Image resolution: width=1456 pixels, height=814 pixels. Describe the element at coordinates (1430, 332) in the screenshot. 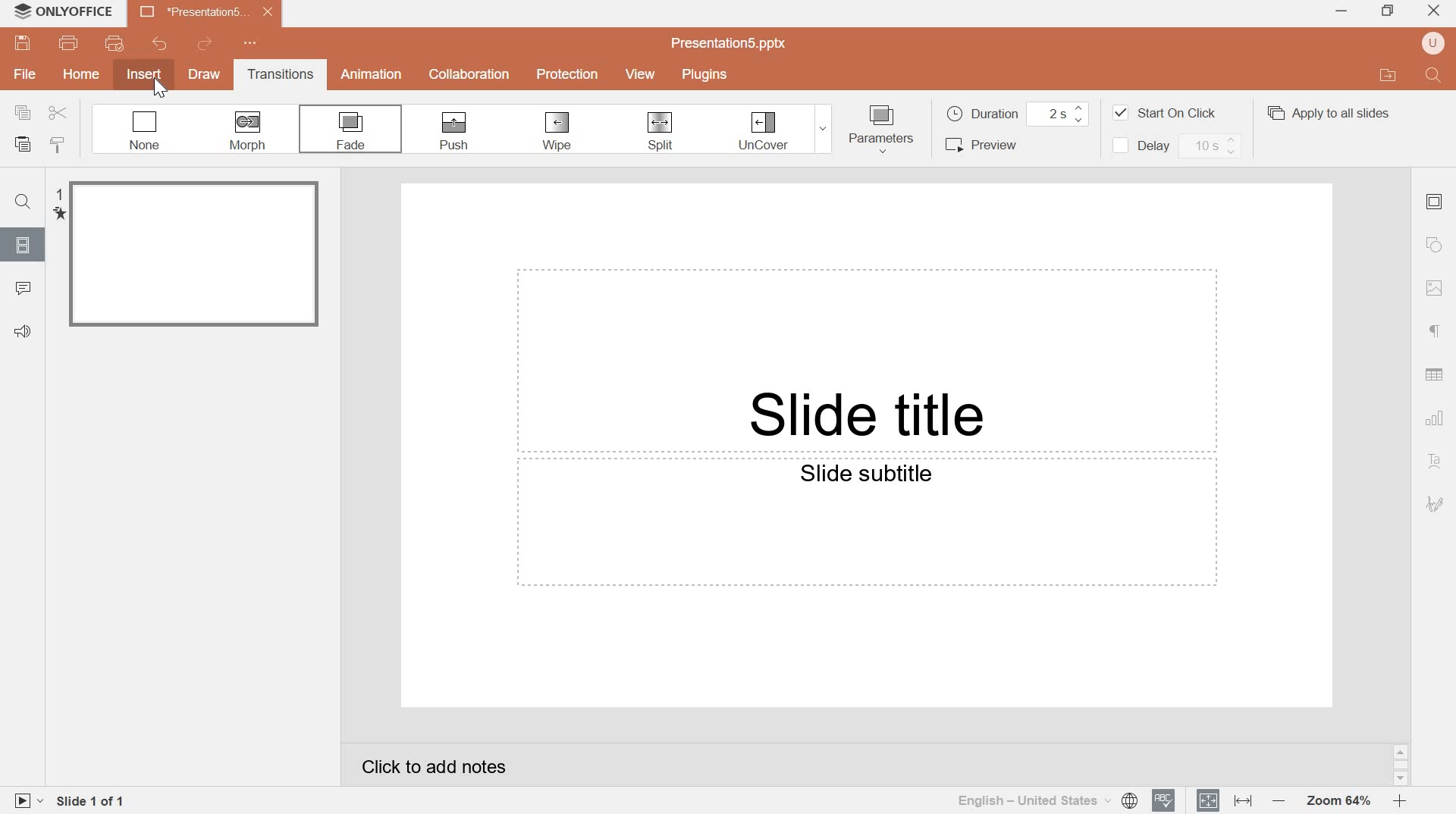

I see `paragraph settings` at that location.